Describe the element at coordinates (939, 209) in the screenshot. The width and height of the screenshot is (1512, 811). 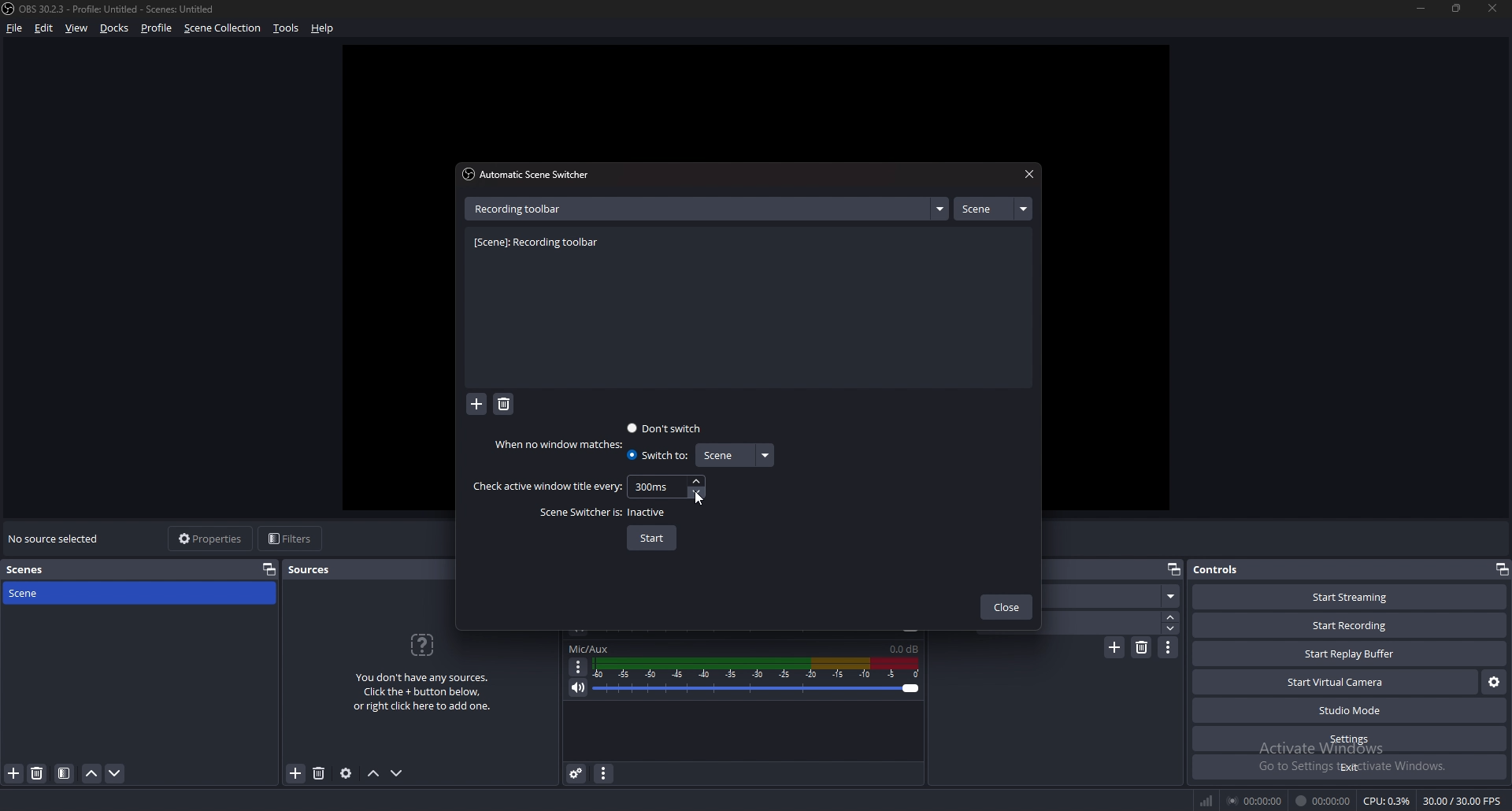
I see `expand` at that location.